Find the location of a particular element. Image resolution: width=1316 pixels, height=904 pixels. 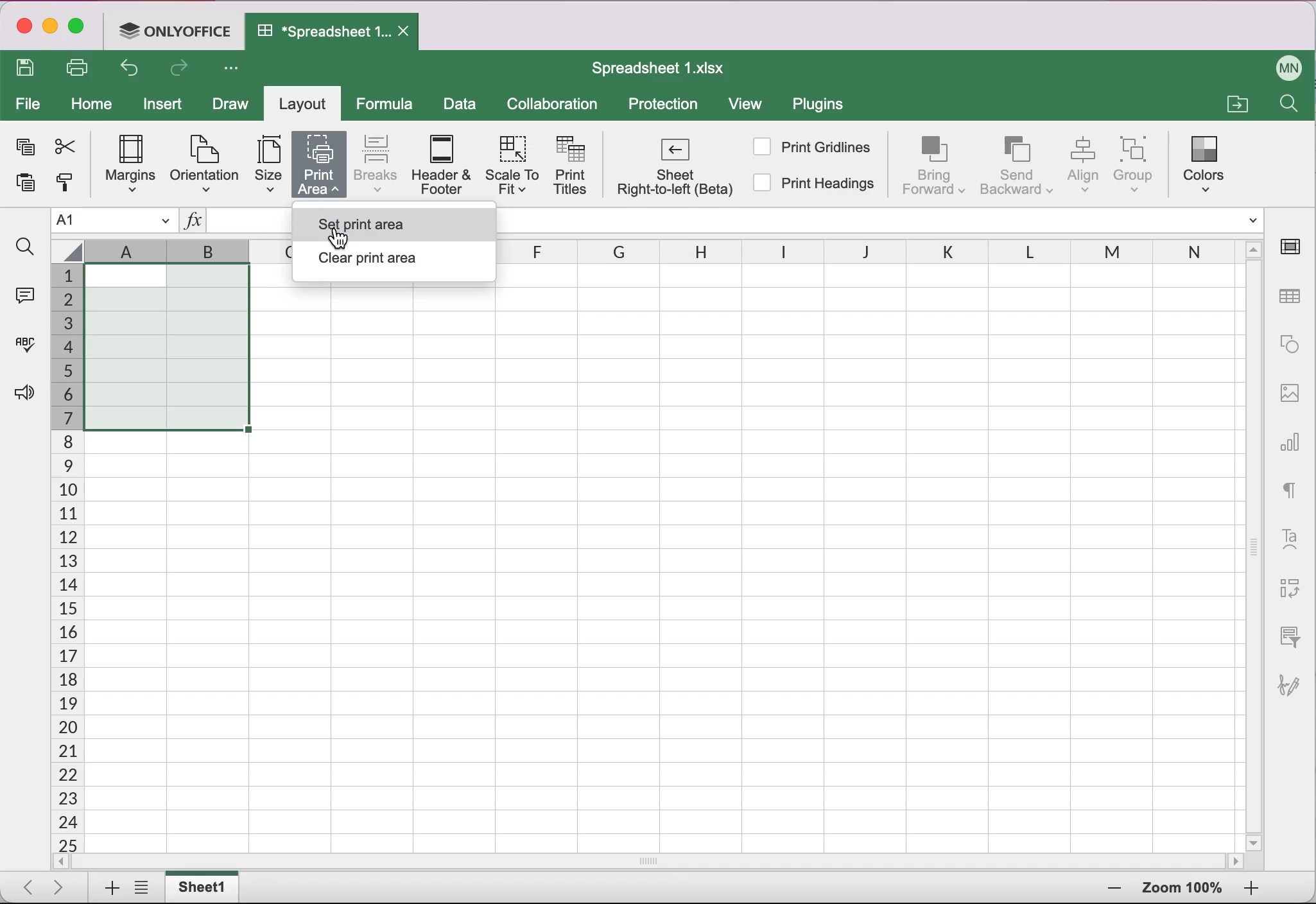

ONLYOFFICE is located at coordinates (178, 30).